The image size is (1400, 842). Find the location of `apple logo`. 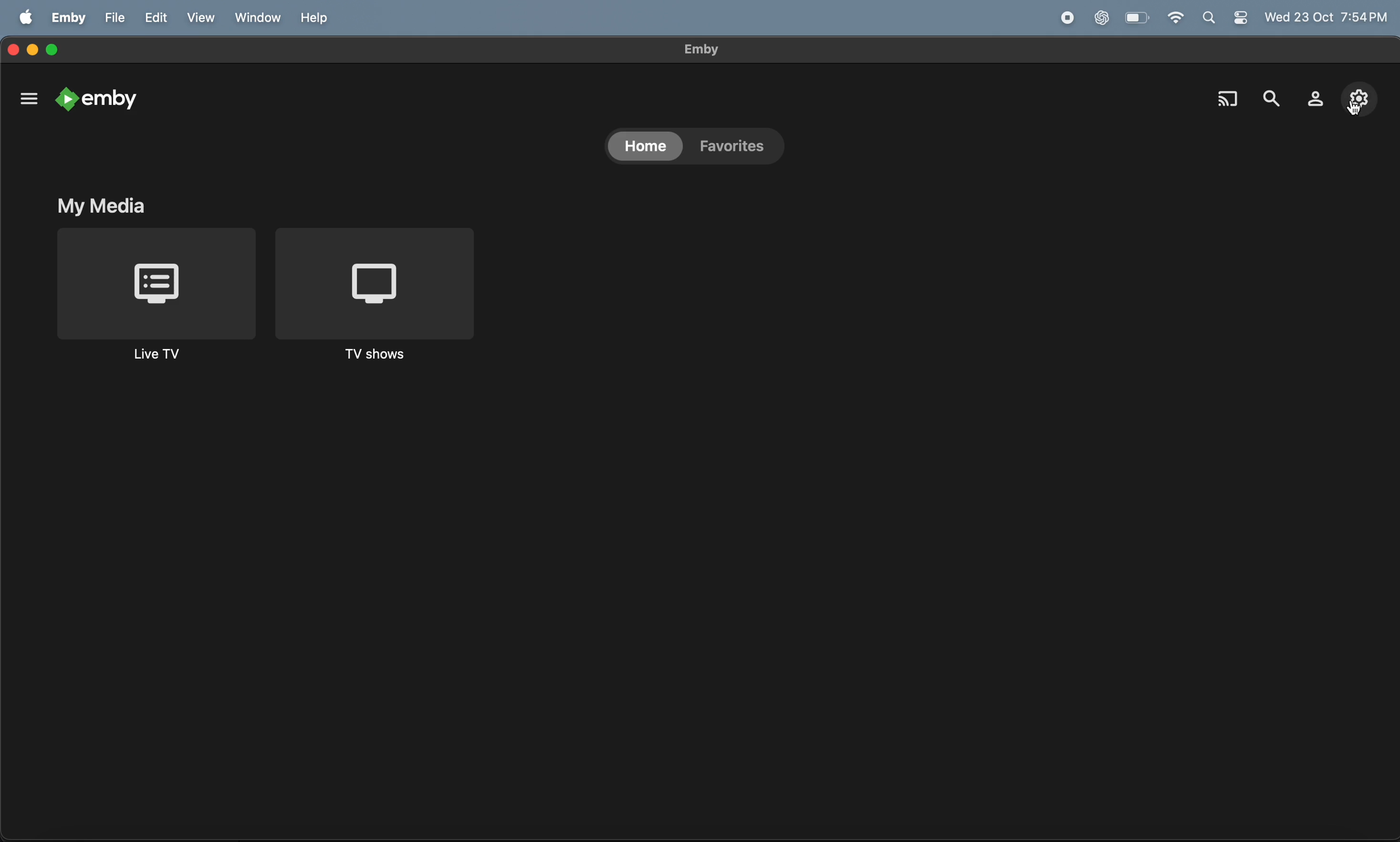

apple logo is located at coordinates (27, 16).